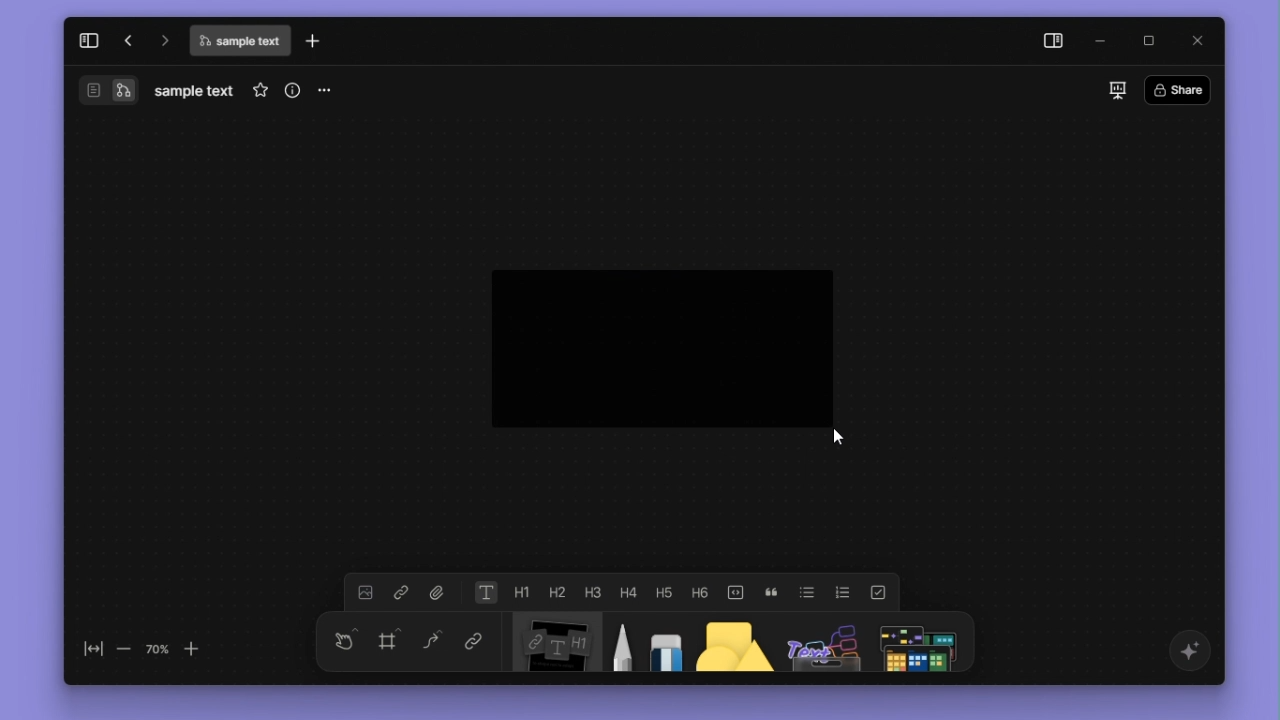 This screenshot has height=720, width=1280. What do you see at coordinates (702, 591) in the screenshot?
I see `heading 6` at bounding box center [702, 591].